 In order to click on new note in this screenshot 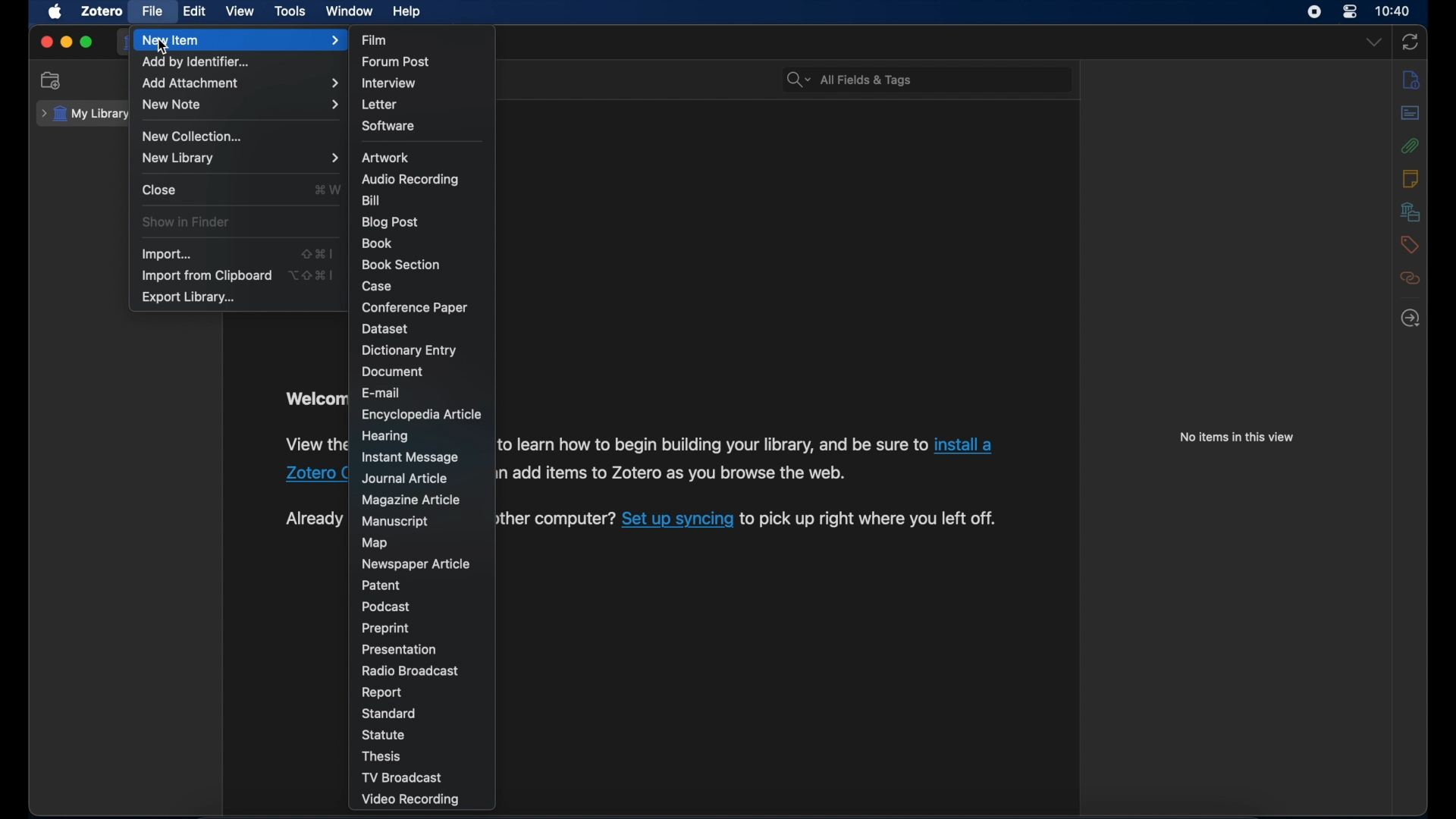, I will do `click(240, 105)`.